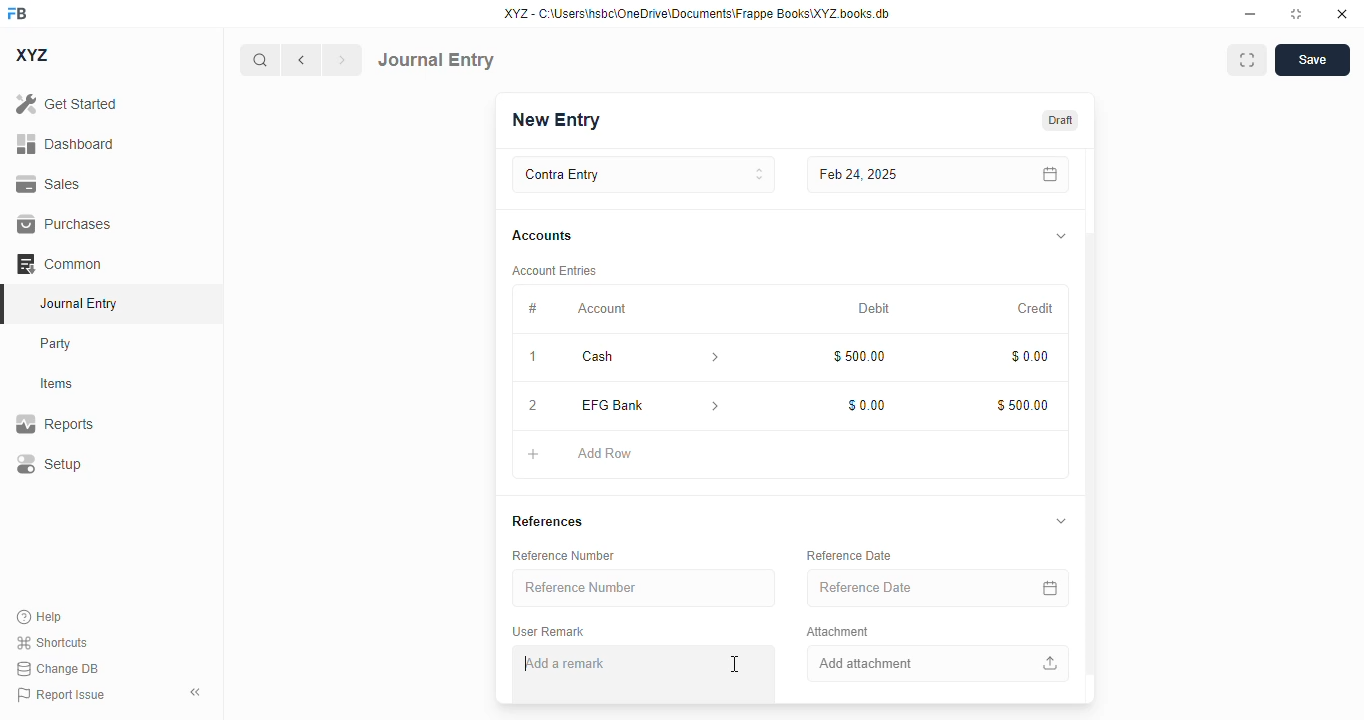  Describe the element at coordinates (1296, 14) in the screenshot. I see `toggle maximize` at that location.